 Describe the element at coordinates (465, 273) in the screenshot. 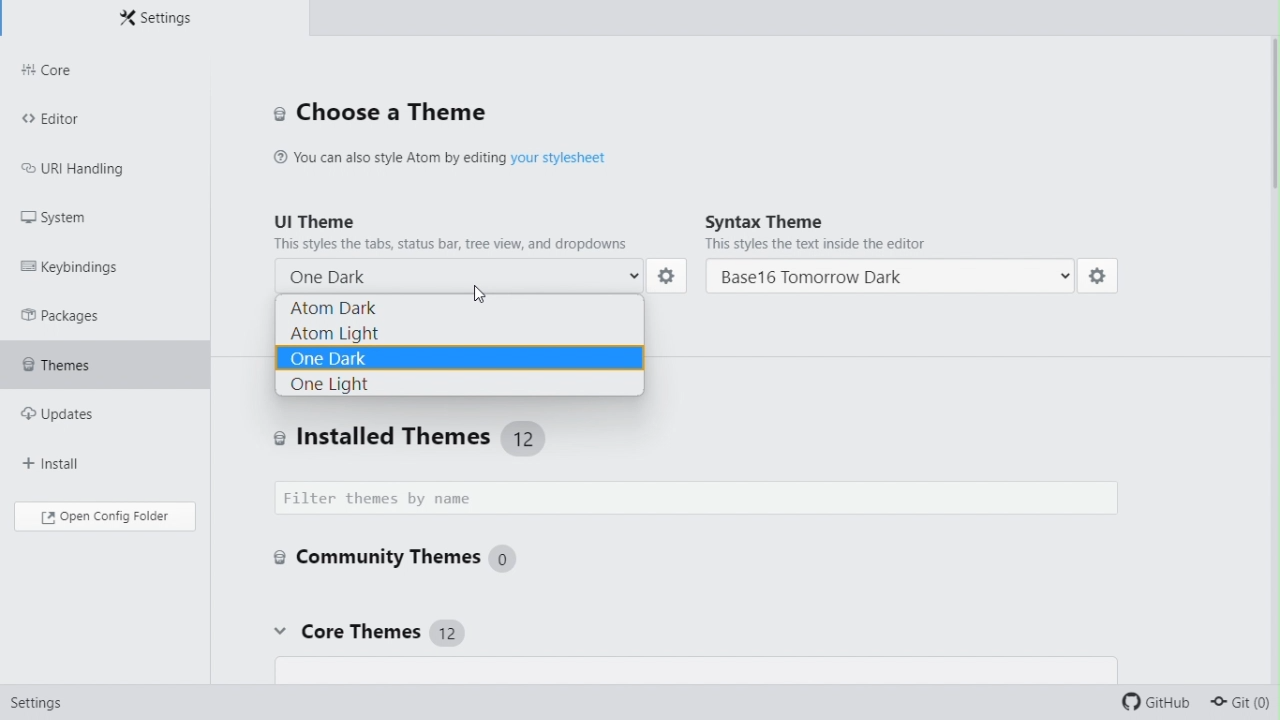

I see `one dark` at that location.